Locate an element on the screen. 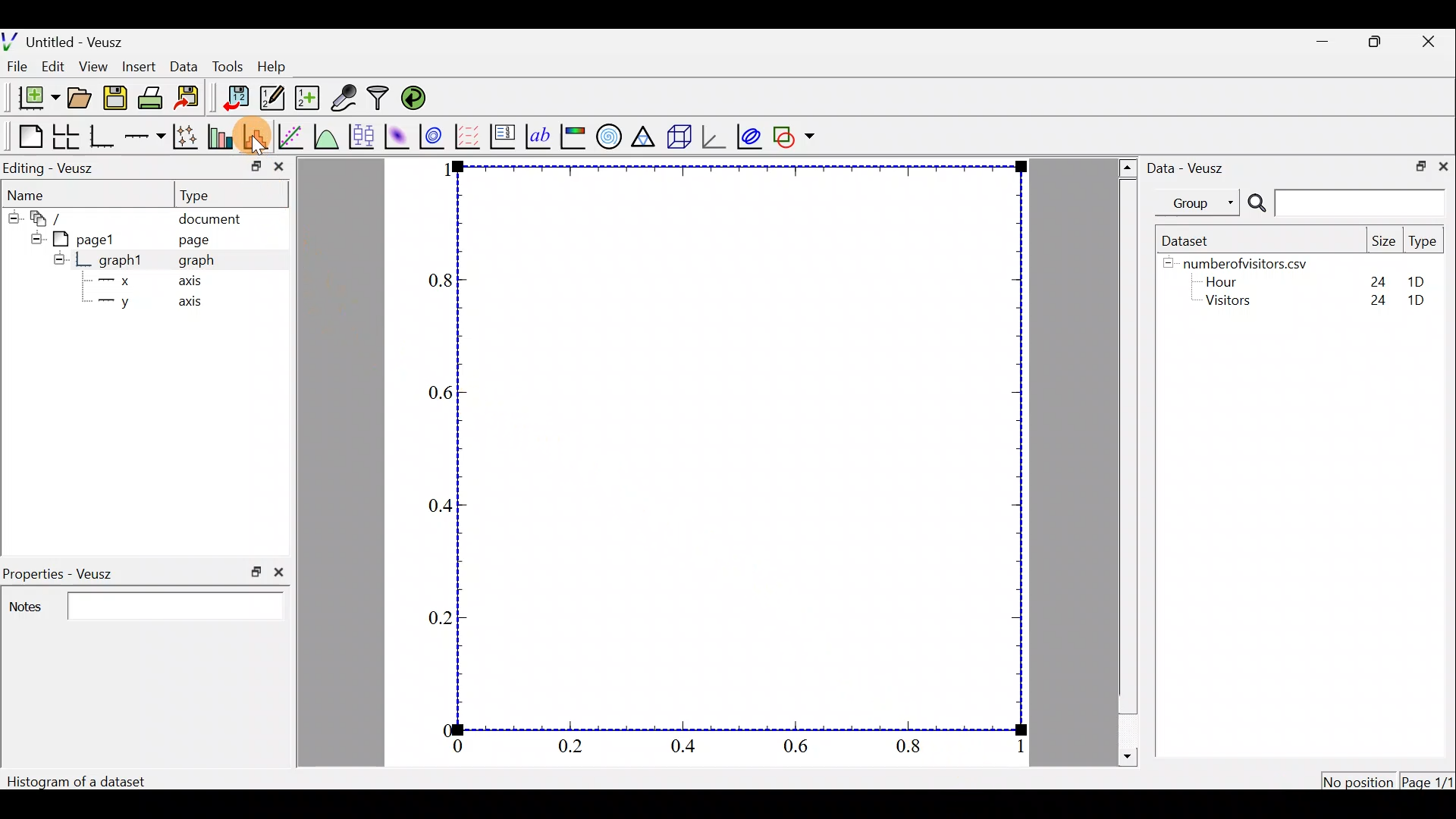 Image resolution: width=1456 pixels, height=819 pixels. graph1 is located at coordinates (122, 259).